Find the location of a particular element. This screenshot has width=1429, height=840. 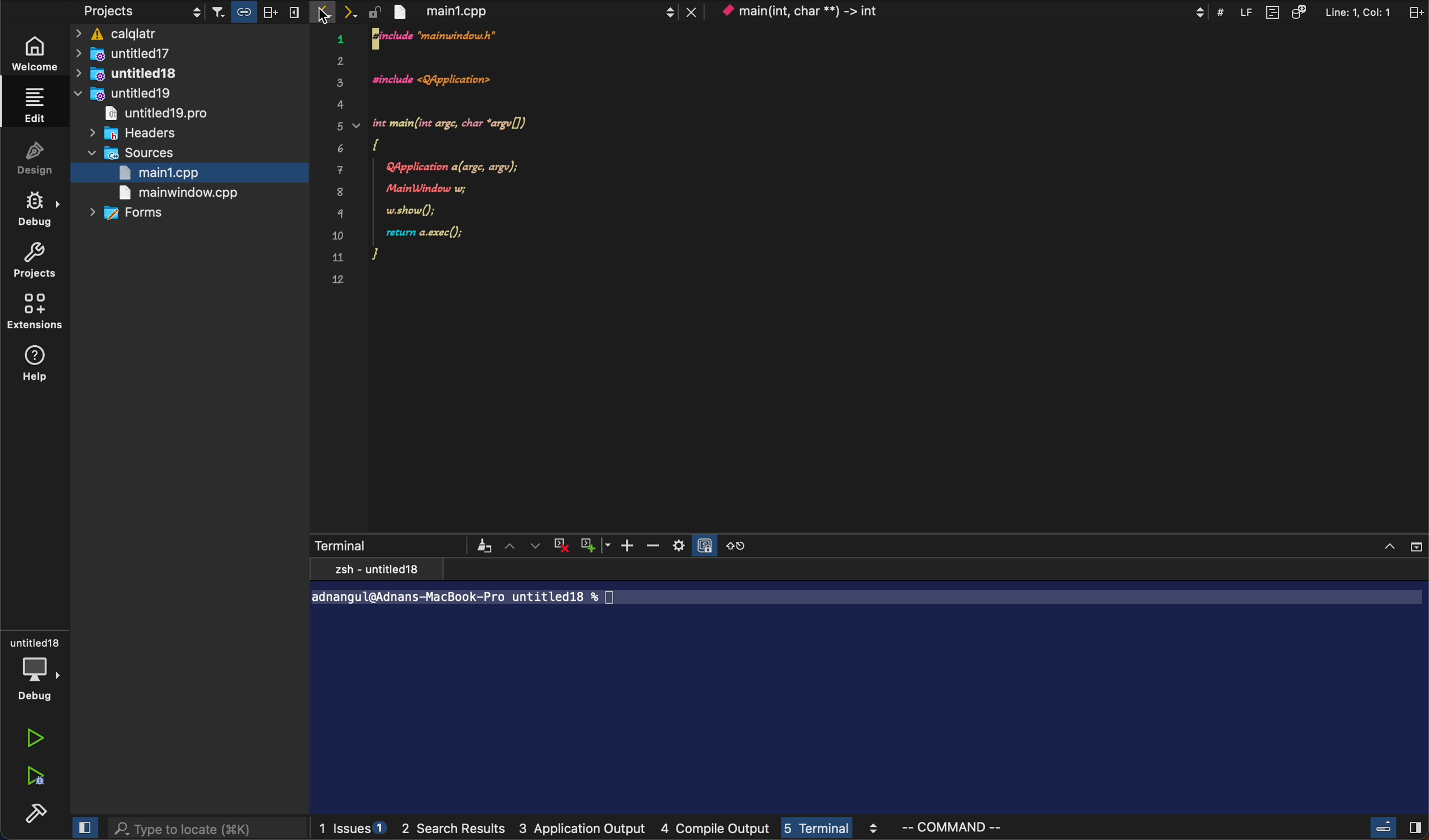

forward arrow is located at coordinates (356, 12).